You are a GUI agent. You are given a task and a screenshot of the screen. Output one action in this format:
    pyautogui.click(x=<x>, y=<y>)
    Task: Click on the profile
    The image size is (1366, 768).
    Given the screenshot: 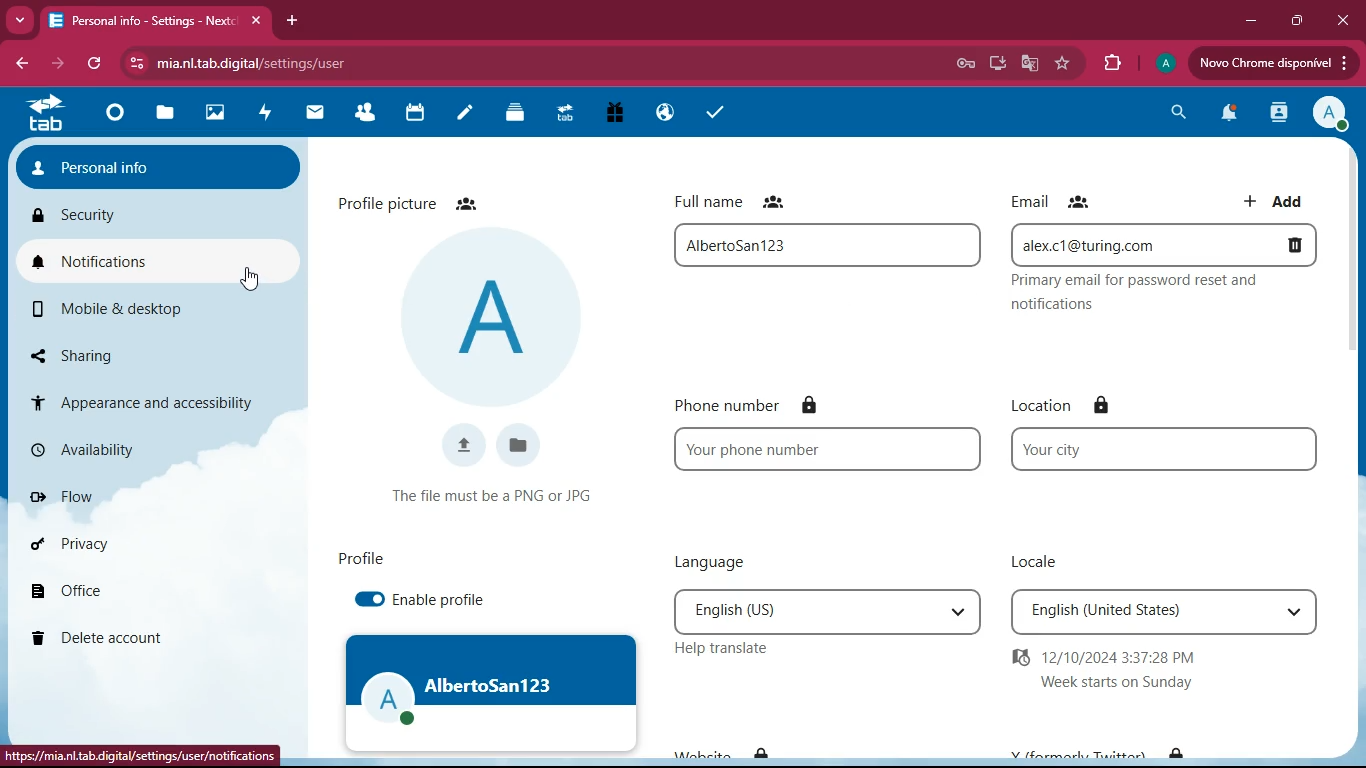 What is the action you would take?
    pyautogui.click(x=1161, y=64)
    